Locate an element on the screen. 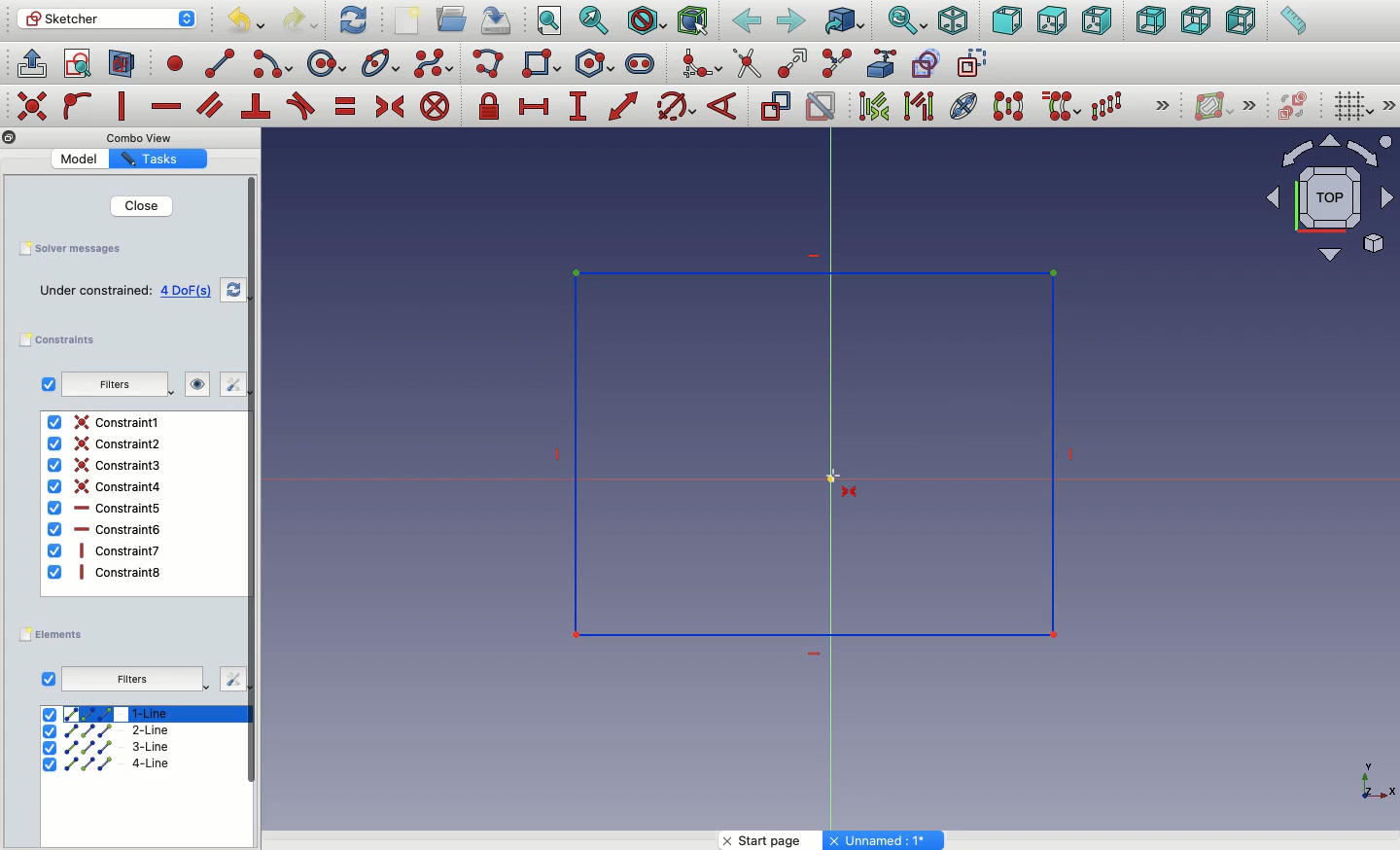  2-line is located at coordinates (110, 731).